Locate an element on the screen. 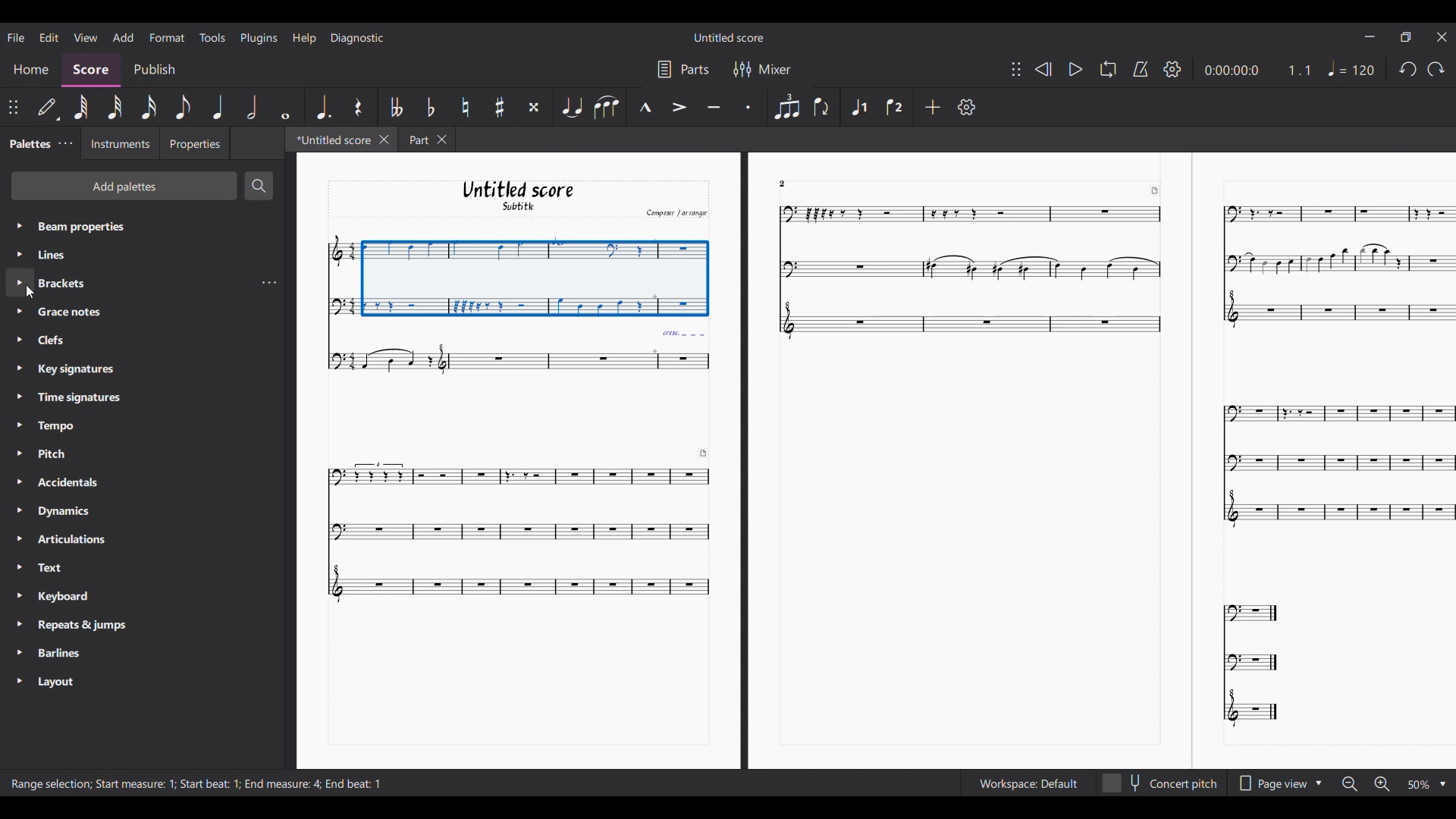  Marcato is located at coordinates (645, 107).